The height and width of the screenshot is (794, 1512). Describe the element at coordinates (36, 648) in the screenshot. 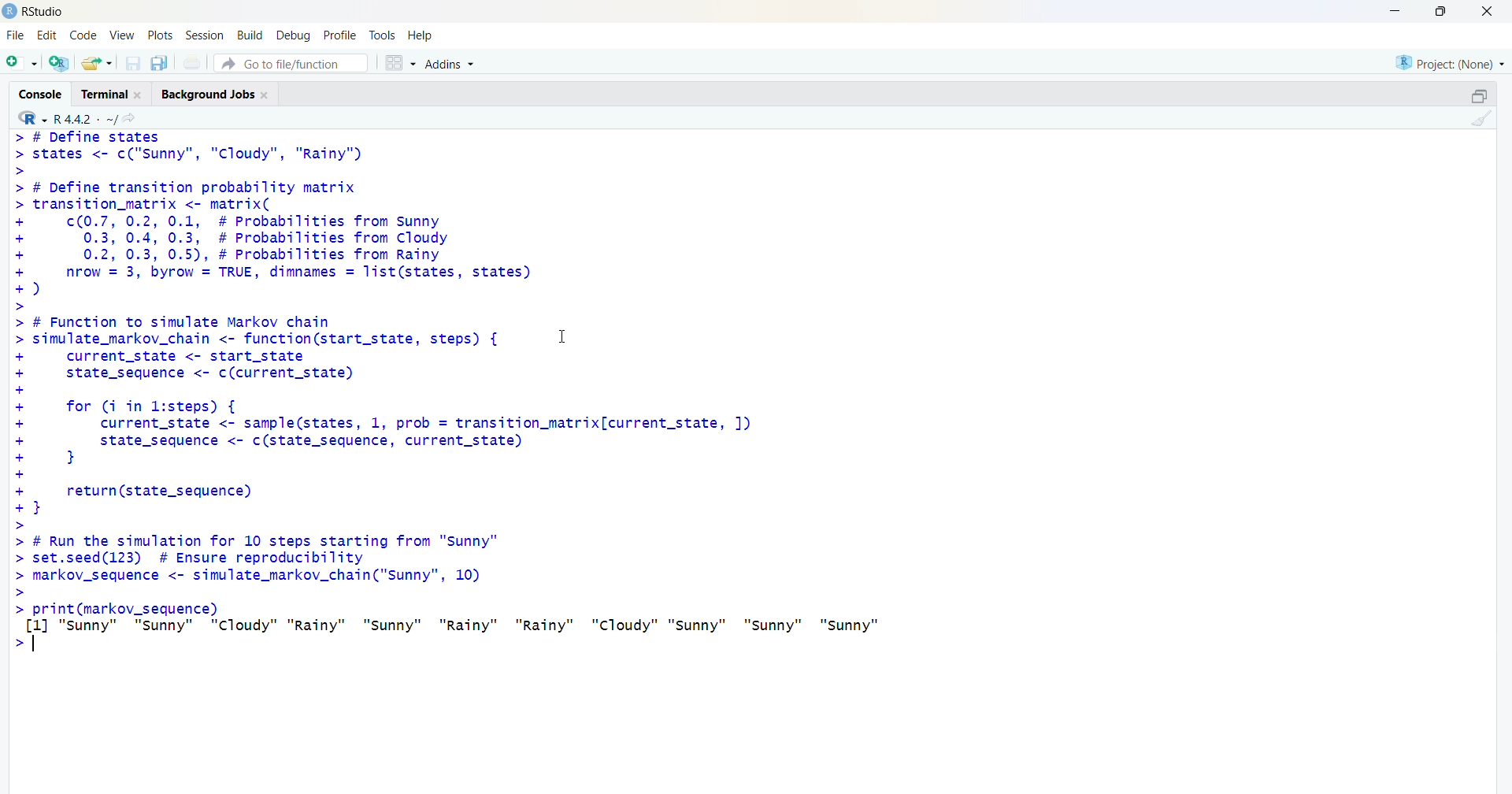

I see `text cursor` at that location.